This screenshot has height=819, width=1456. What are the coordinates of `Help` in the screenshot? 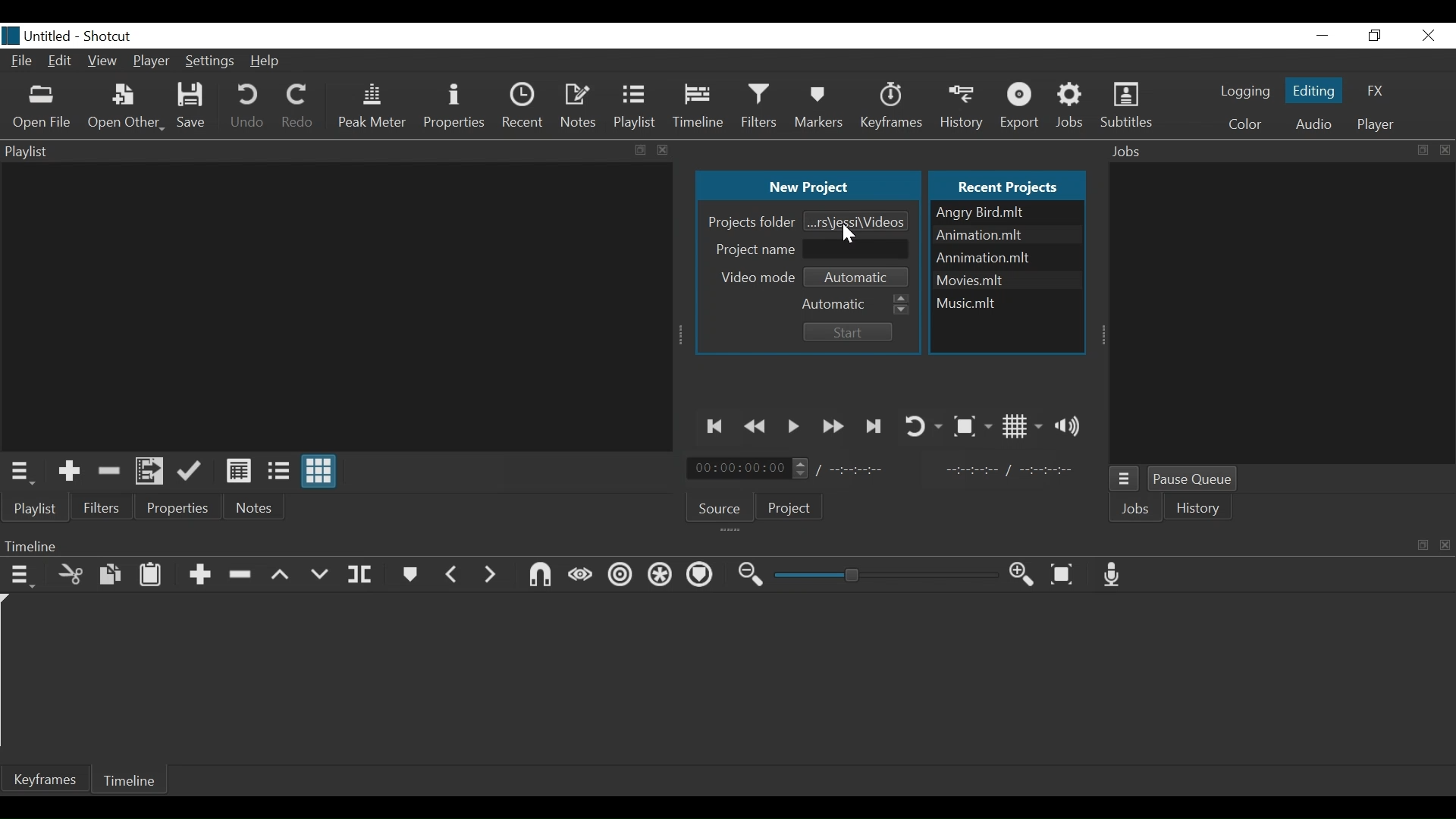 It's located at (268, 61).